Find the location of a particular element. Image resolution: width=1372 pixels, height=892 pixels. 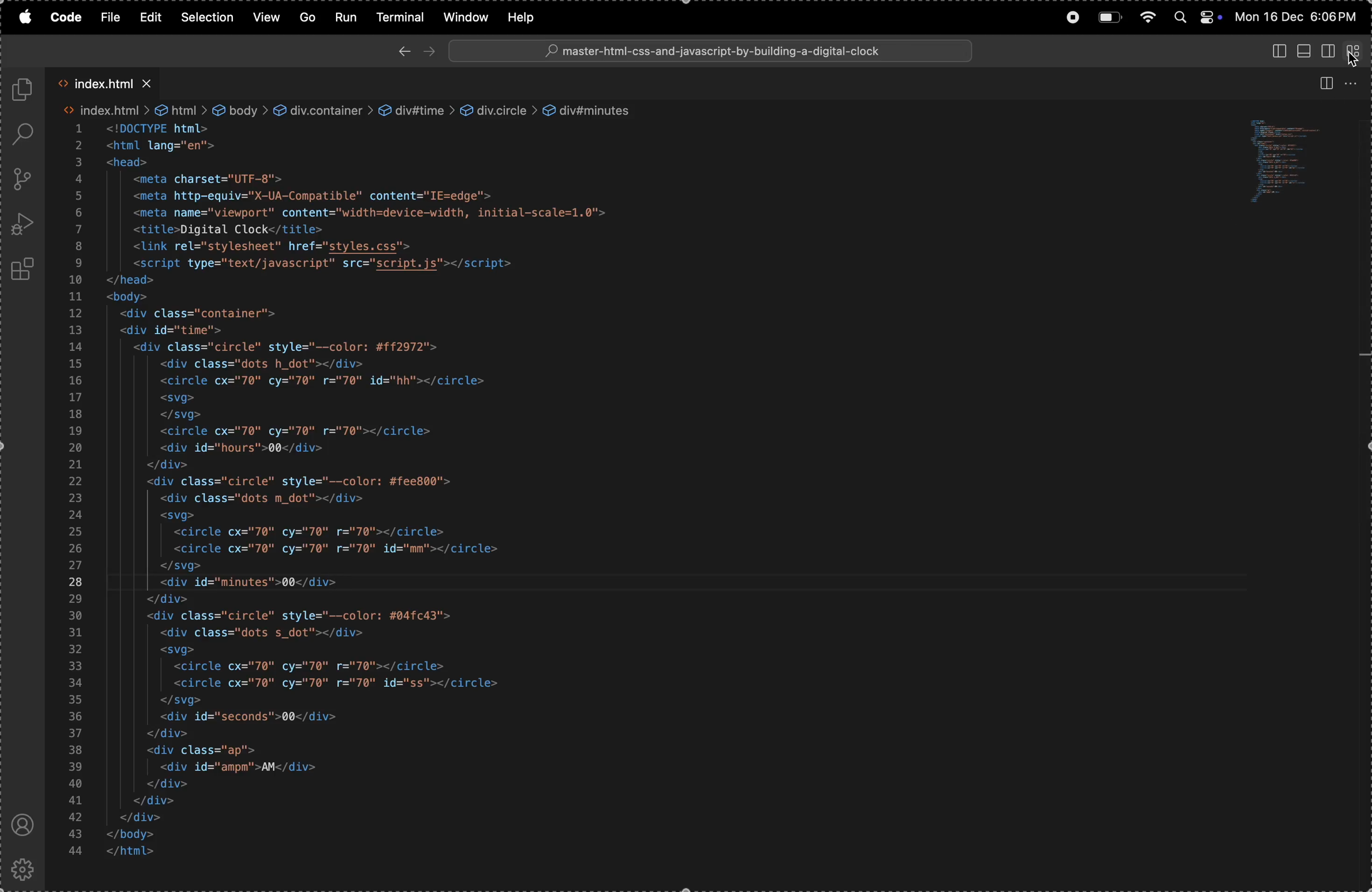

file is located at coordinates (109, 16).